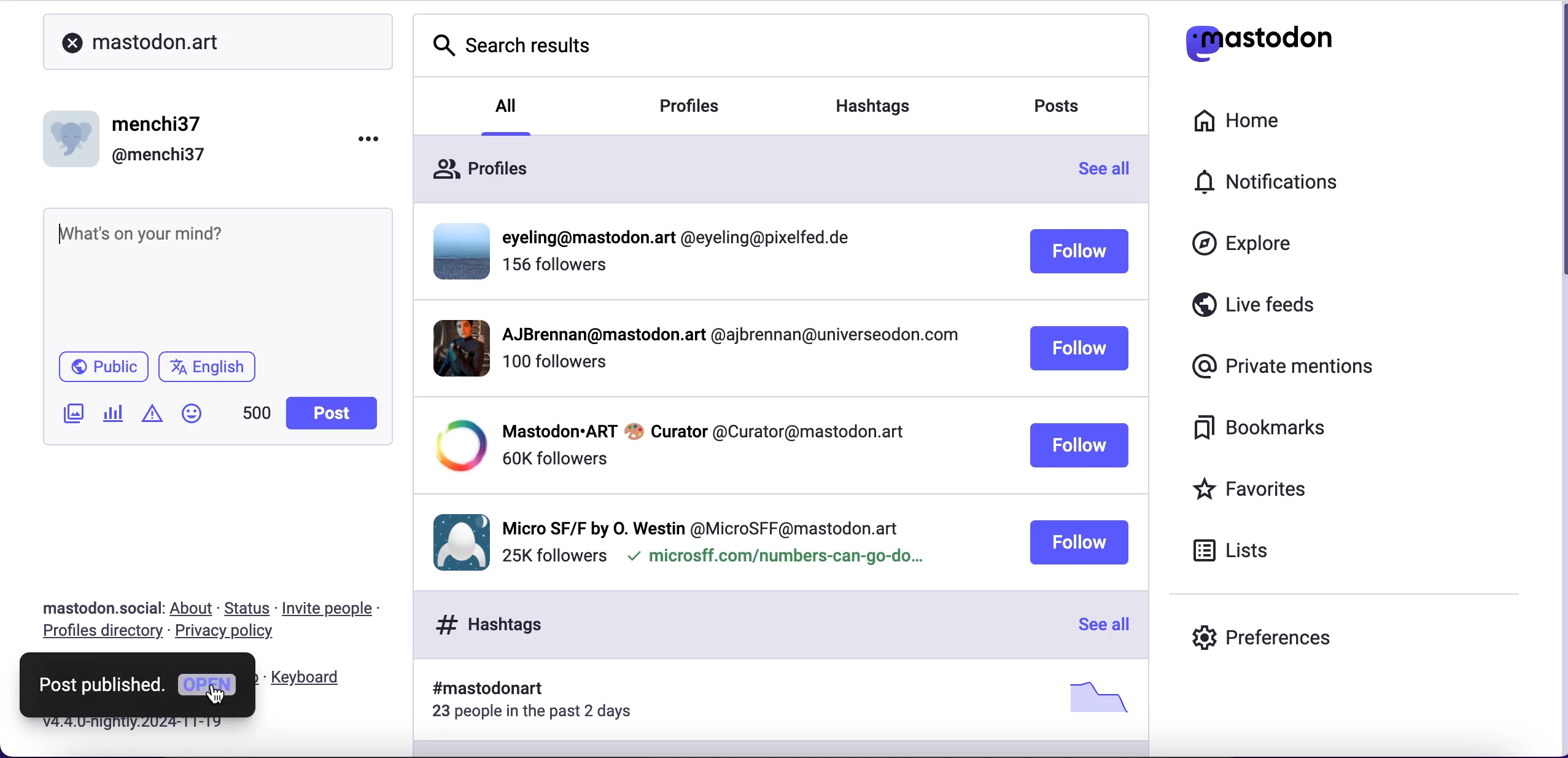  I want to click on about, so click(192, 607).